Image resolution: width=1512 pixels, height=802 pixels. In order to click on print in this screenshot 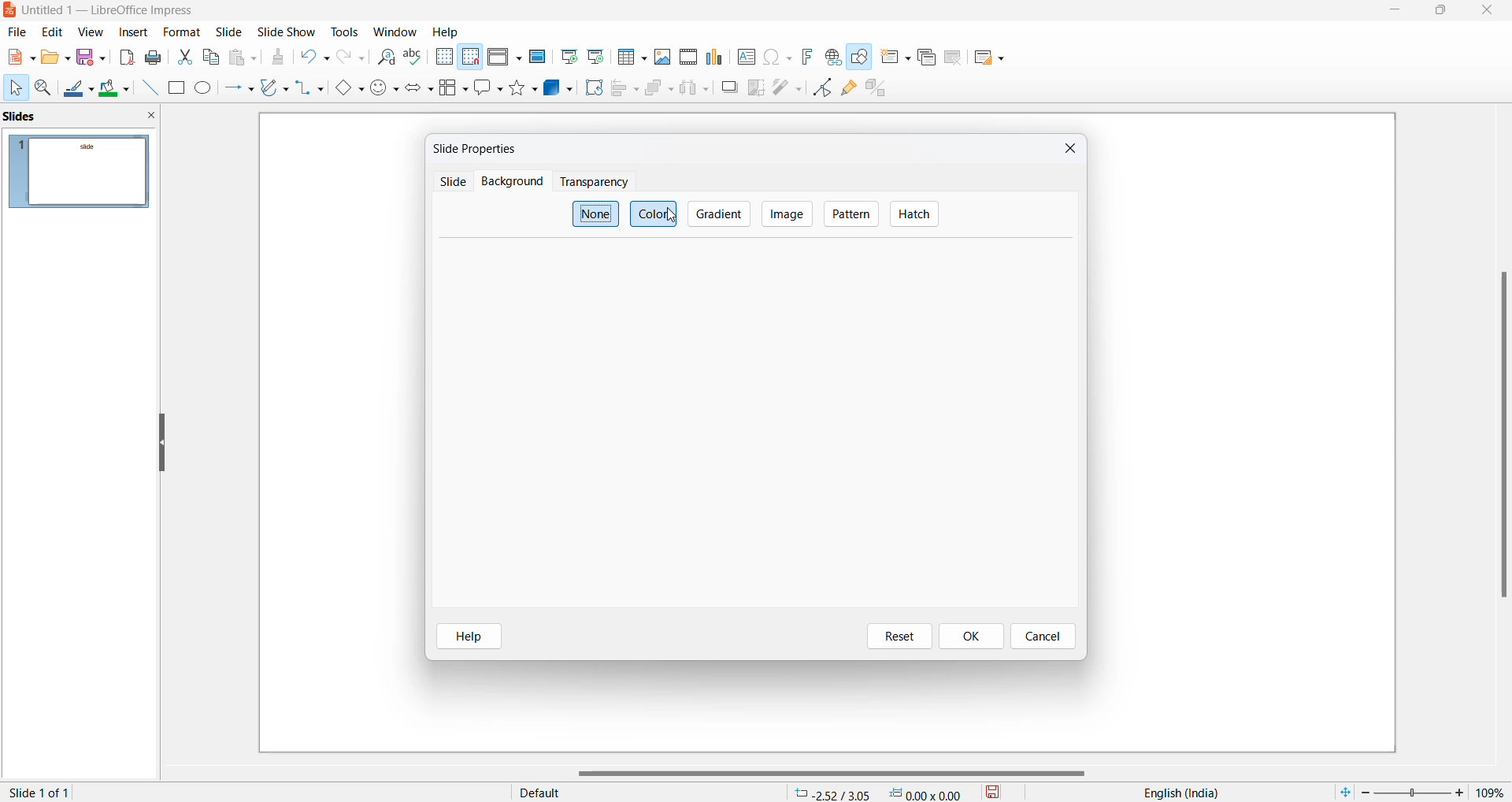, I will do `click(157, 57)`.